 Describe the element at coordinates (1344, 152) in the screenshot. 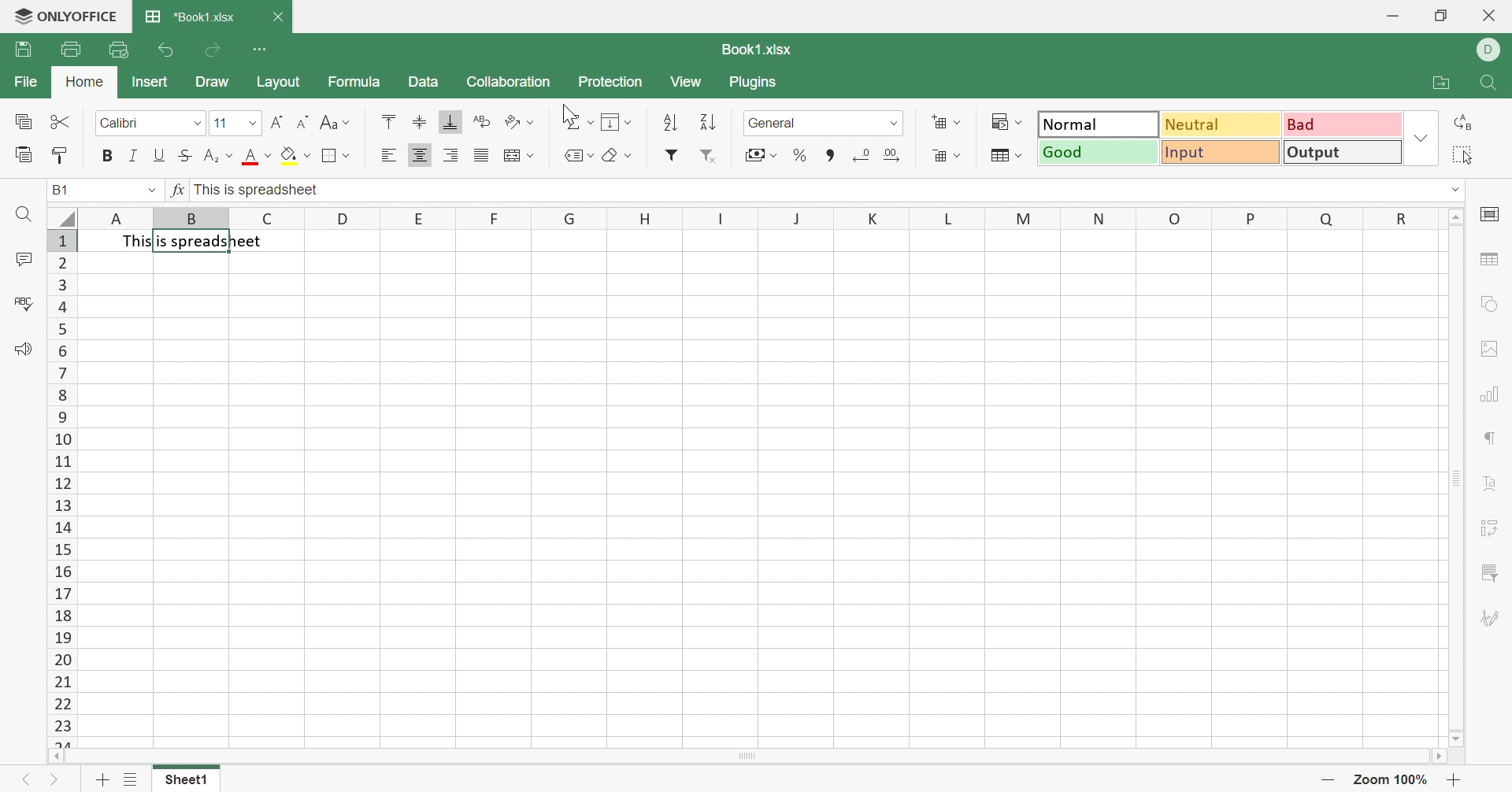

I see `Output` at that location.